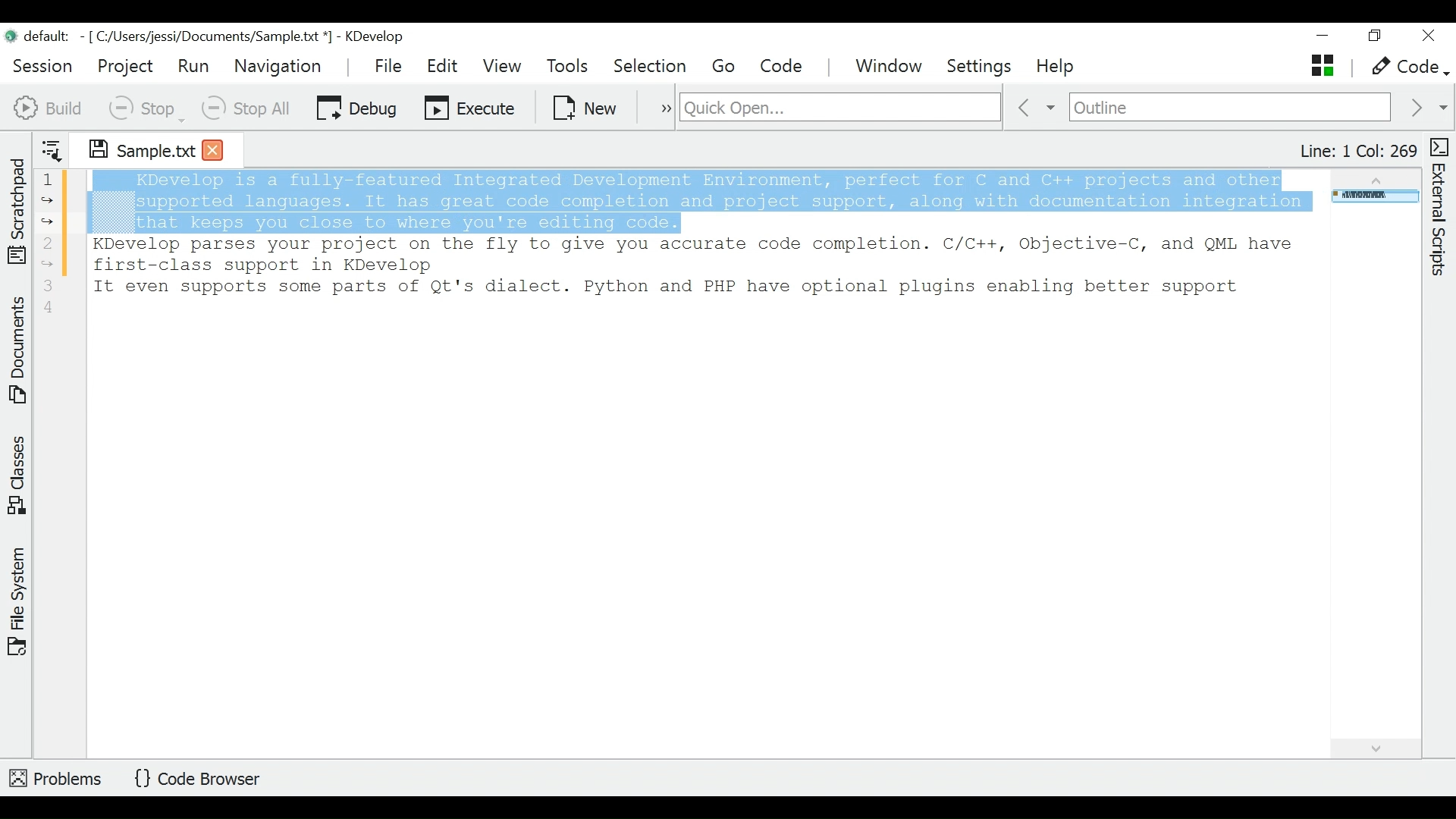  Describe the element at coordinates (17, 600) in the screenshot. I see `File System` at that location.